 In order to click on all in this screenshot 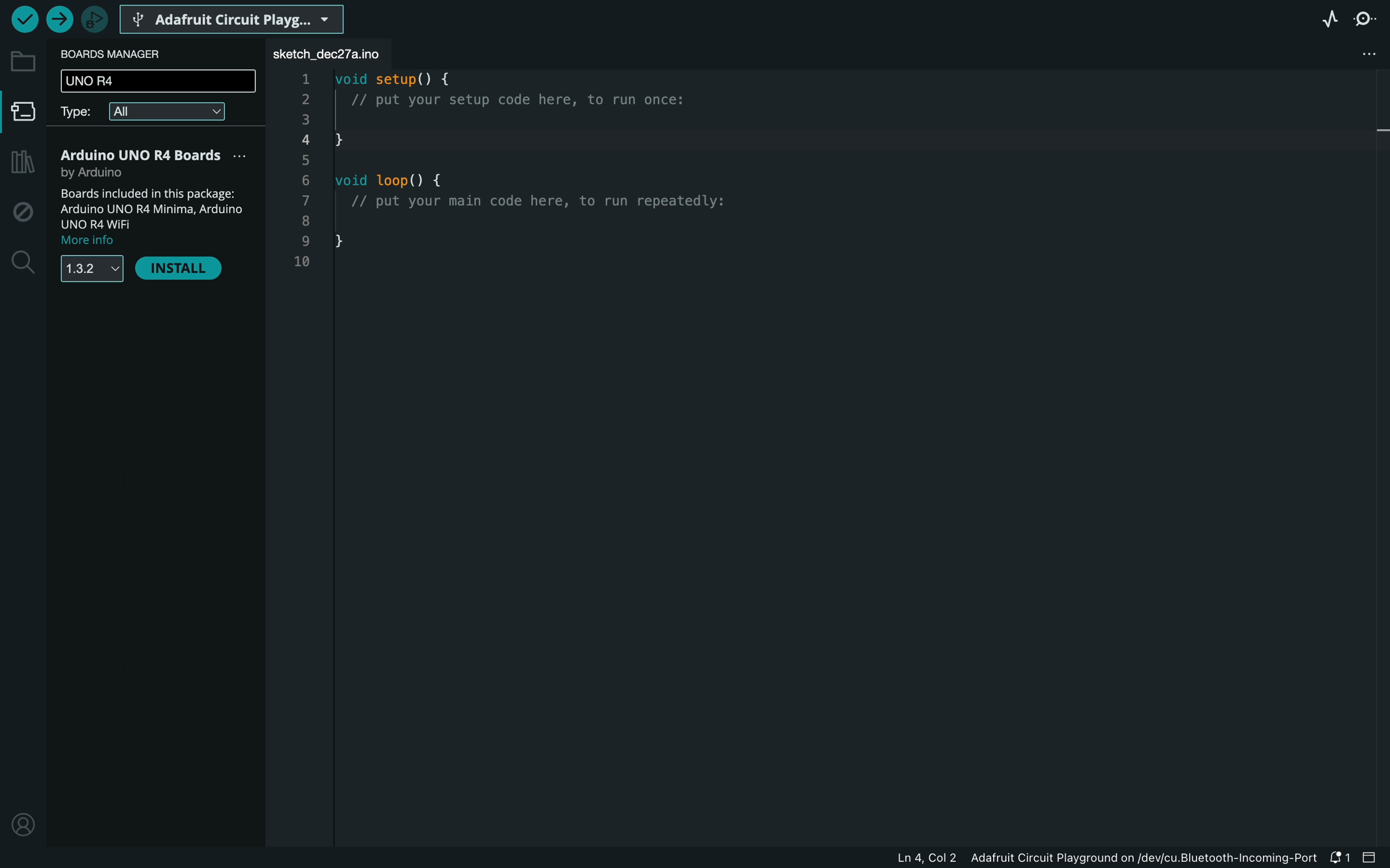, I will do `click(166, 117)`.